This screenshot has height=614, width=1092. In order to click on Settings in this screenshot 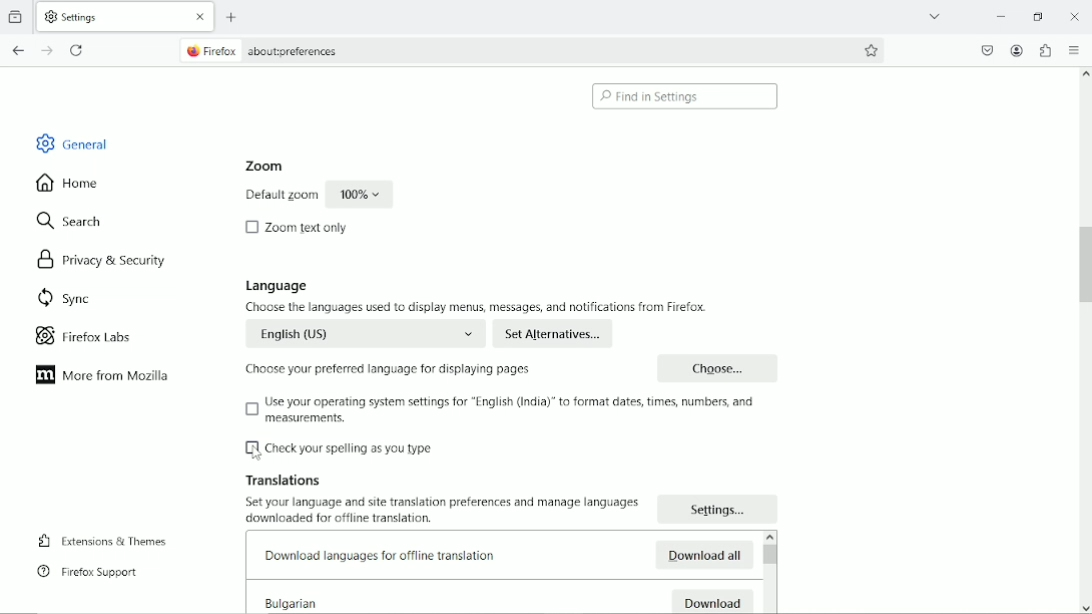, I will do `click(724, 510)`.